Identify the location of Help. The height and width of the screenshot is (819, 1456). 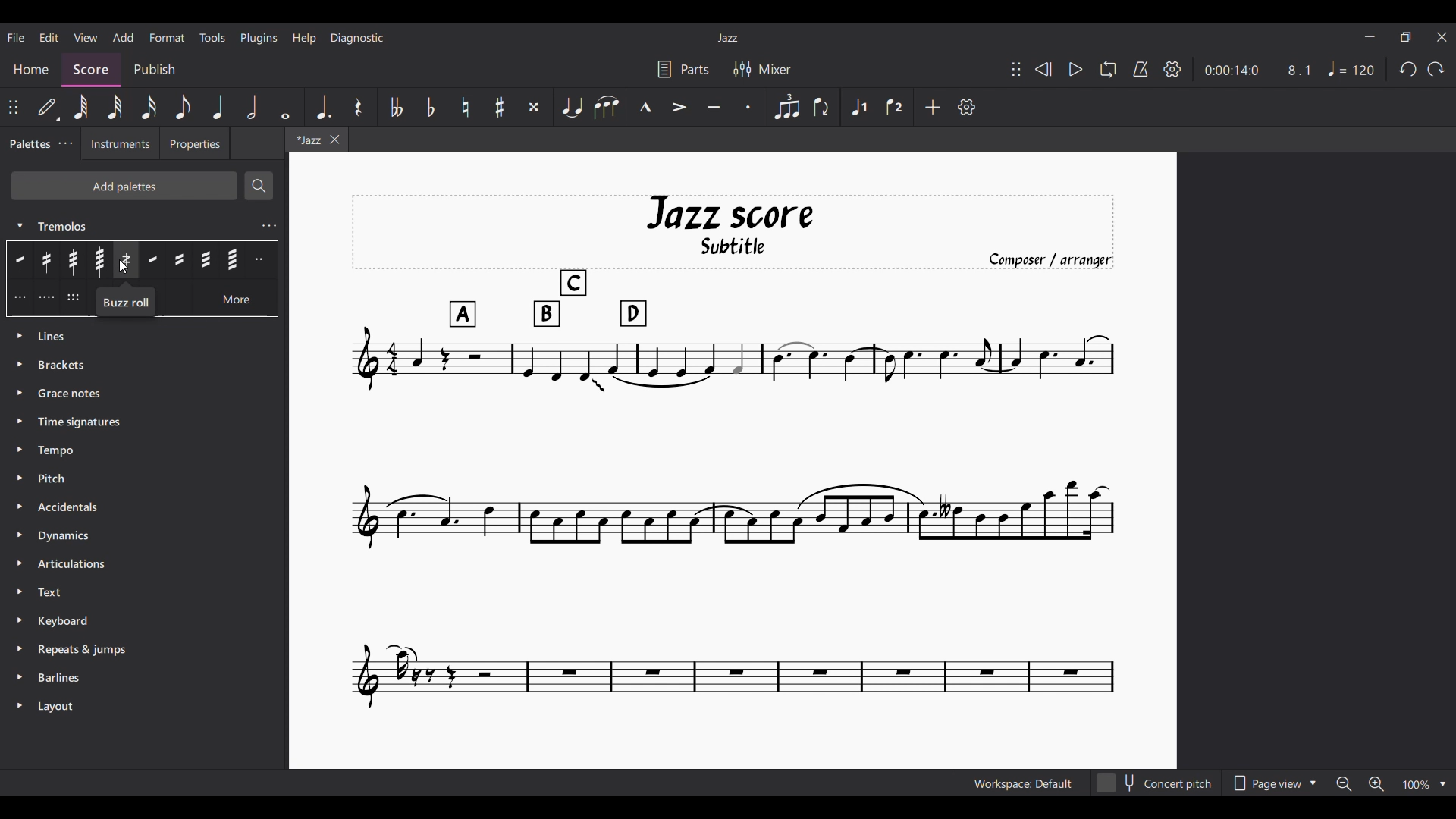
(305, 39).